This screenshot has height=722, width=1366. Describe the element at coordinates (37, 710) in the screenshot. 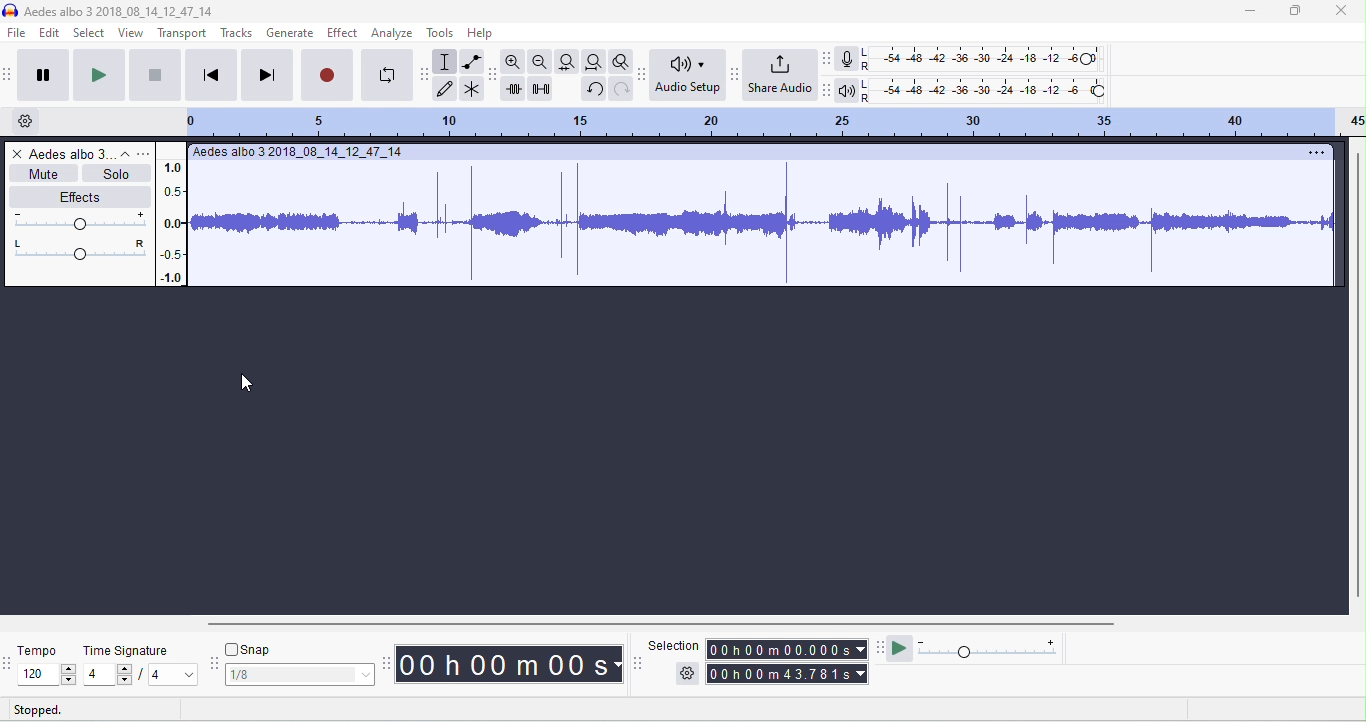

I see `stopped` at that location.